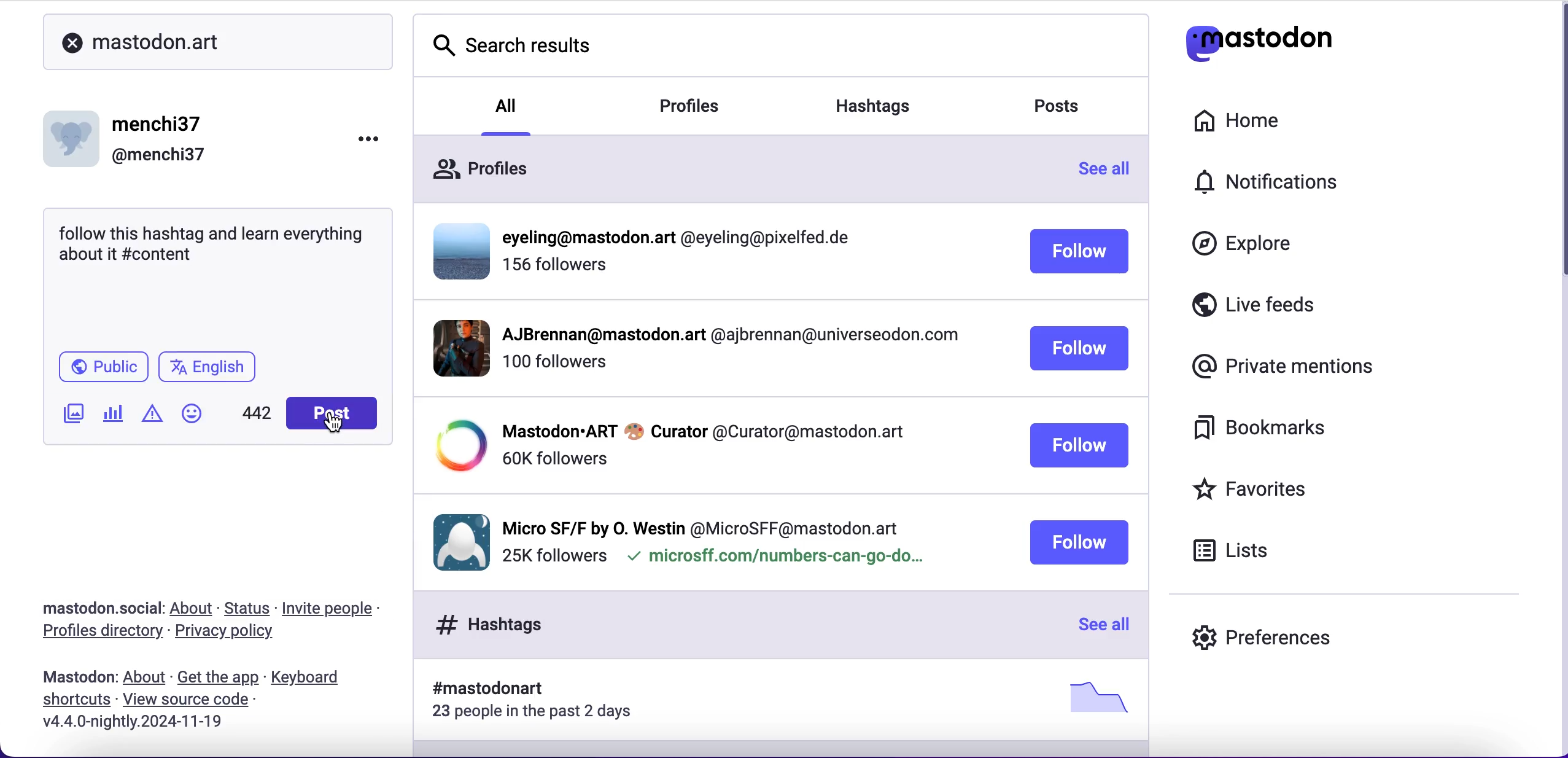 This screenshot has width=1568, height=758. What do you see at coordinates (330, 413) in the screenshot?
I see `post` at bounding box center [330, 413].